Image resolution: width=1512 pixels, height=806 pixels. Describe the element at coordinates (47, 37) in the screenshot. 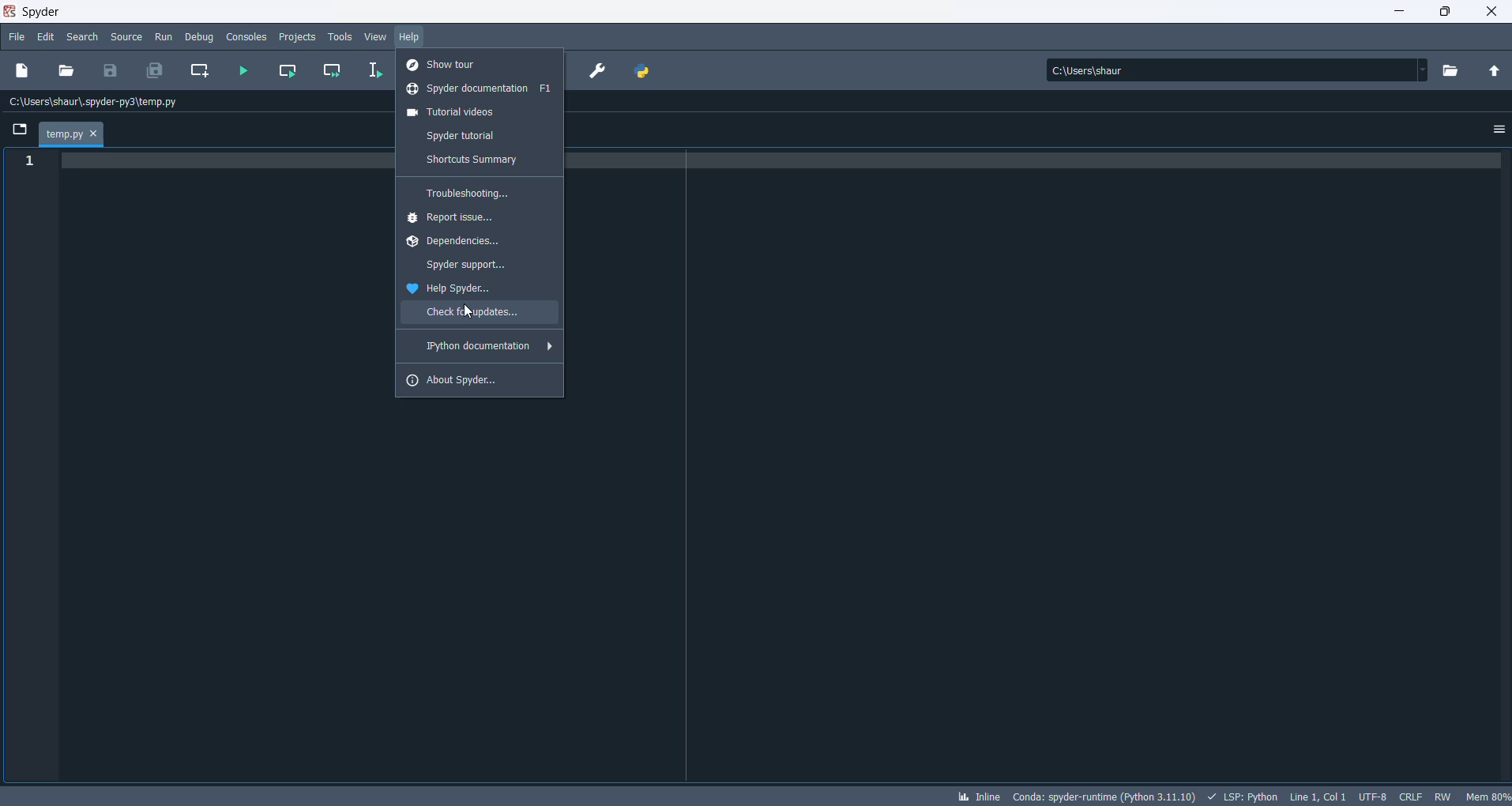

I see `edit` at that location.